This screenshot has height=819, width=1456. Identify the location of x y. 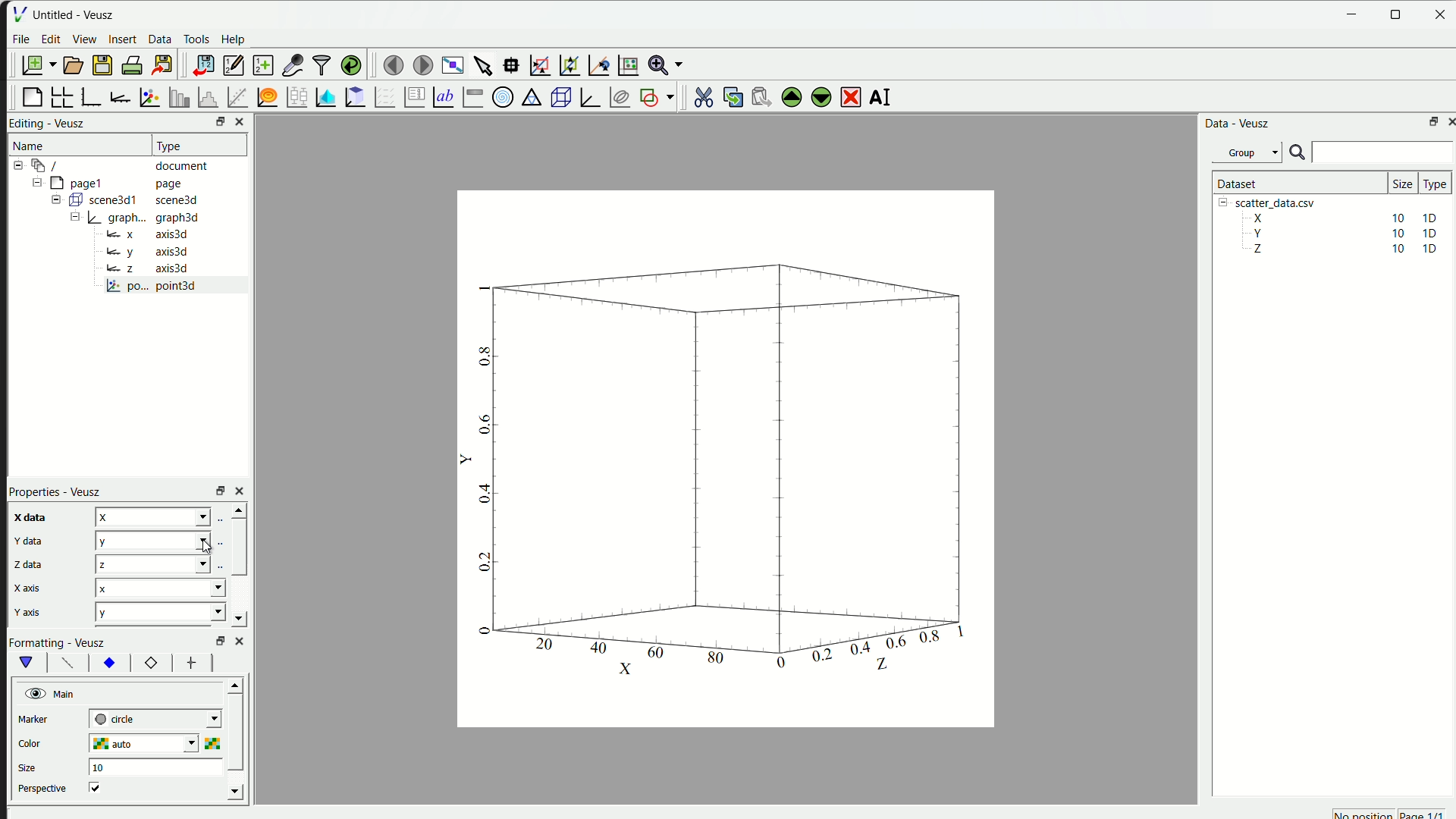
(168, 539).